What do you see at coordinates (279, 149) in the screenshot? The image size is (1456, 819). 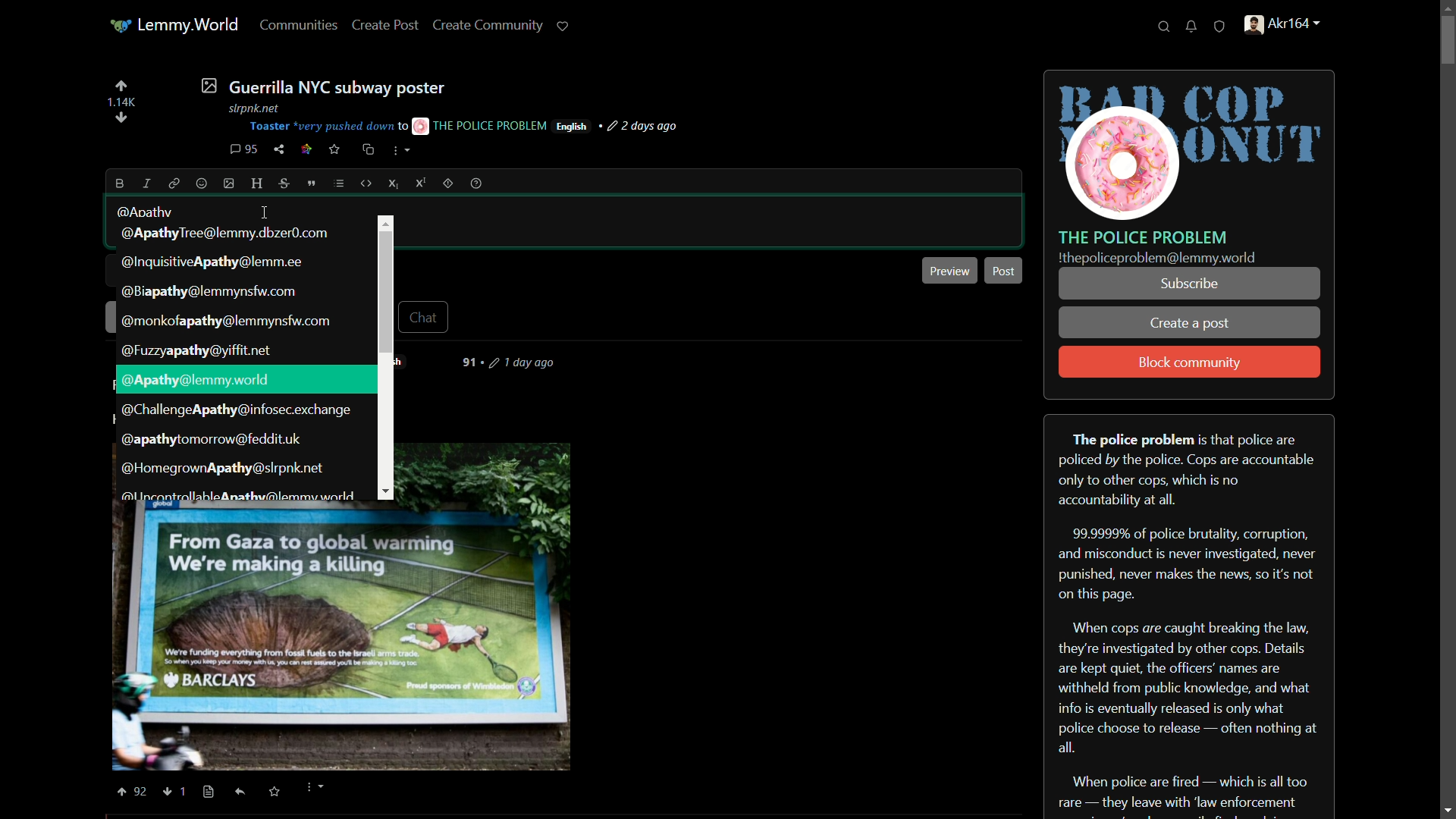 I see `share` at bounding box center [279, 149].